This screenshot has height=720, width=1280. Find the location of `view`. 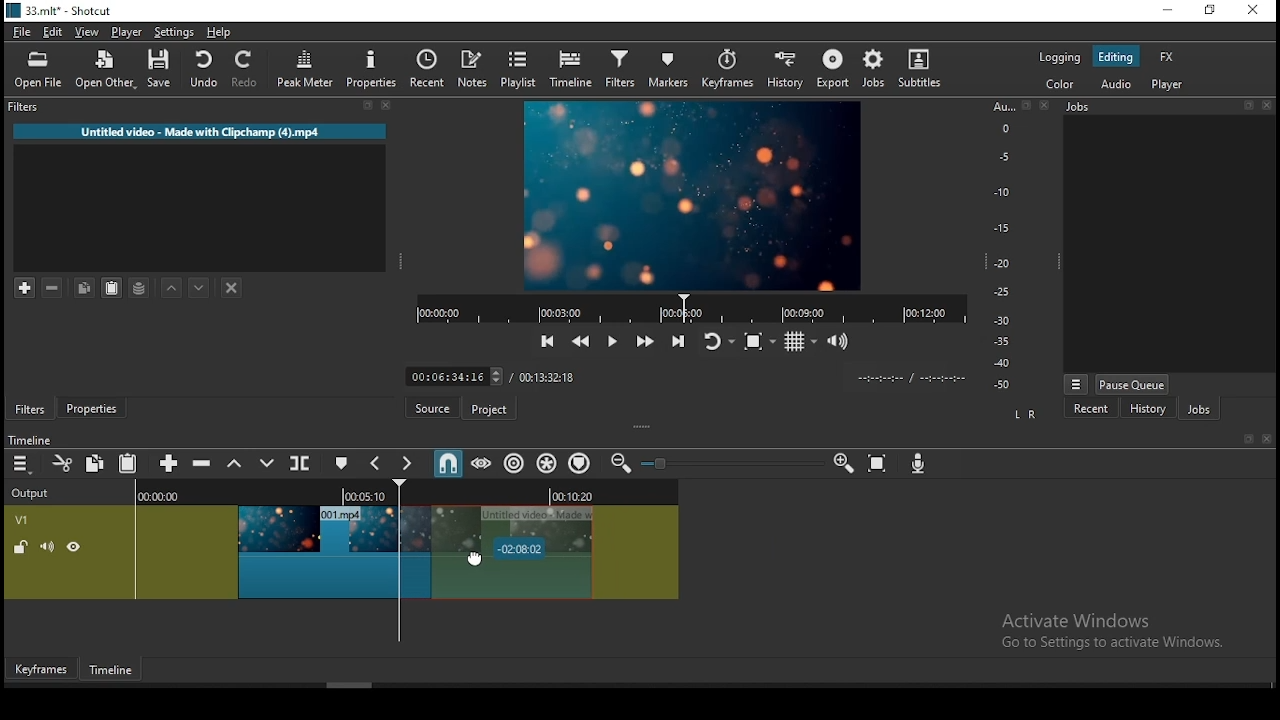

view is located at coordinates (90, 34).